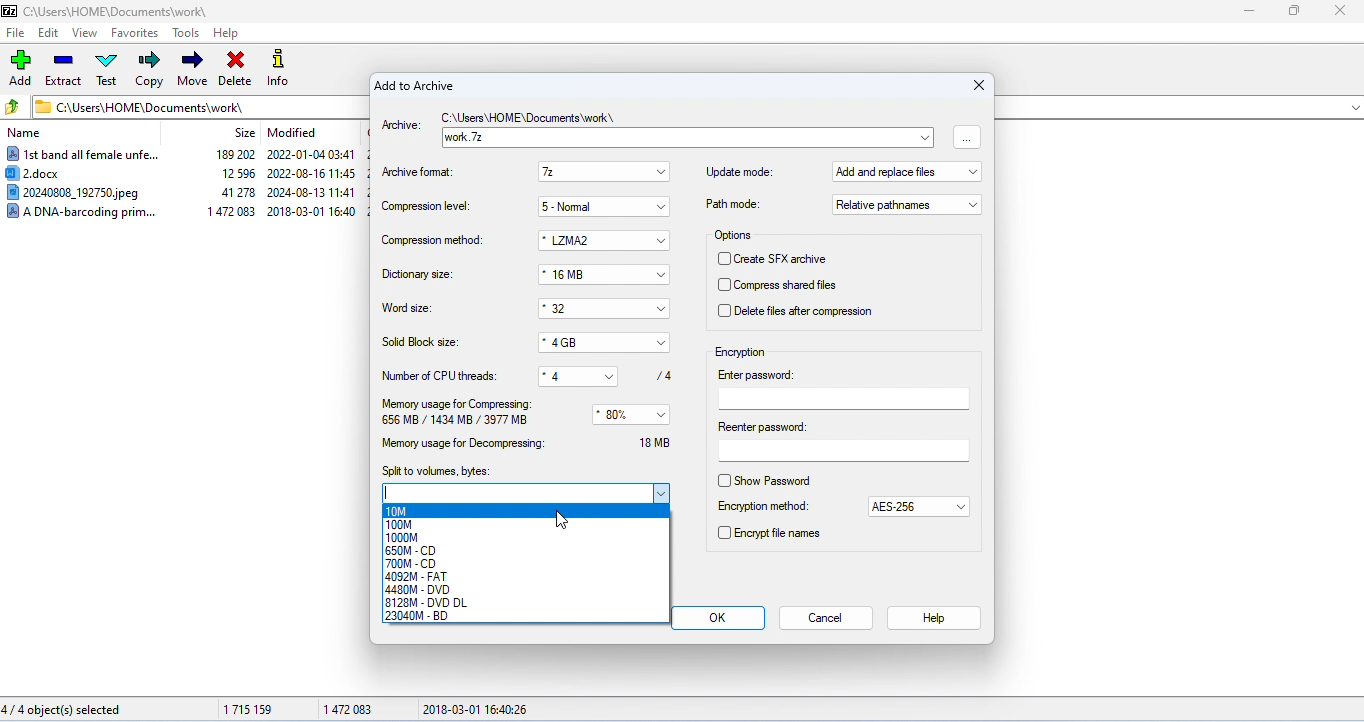 This screenshot has height=722, width=1364. Describe the element at coordinates (589, 309) in the screenshot. I see `* 32` at that location.